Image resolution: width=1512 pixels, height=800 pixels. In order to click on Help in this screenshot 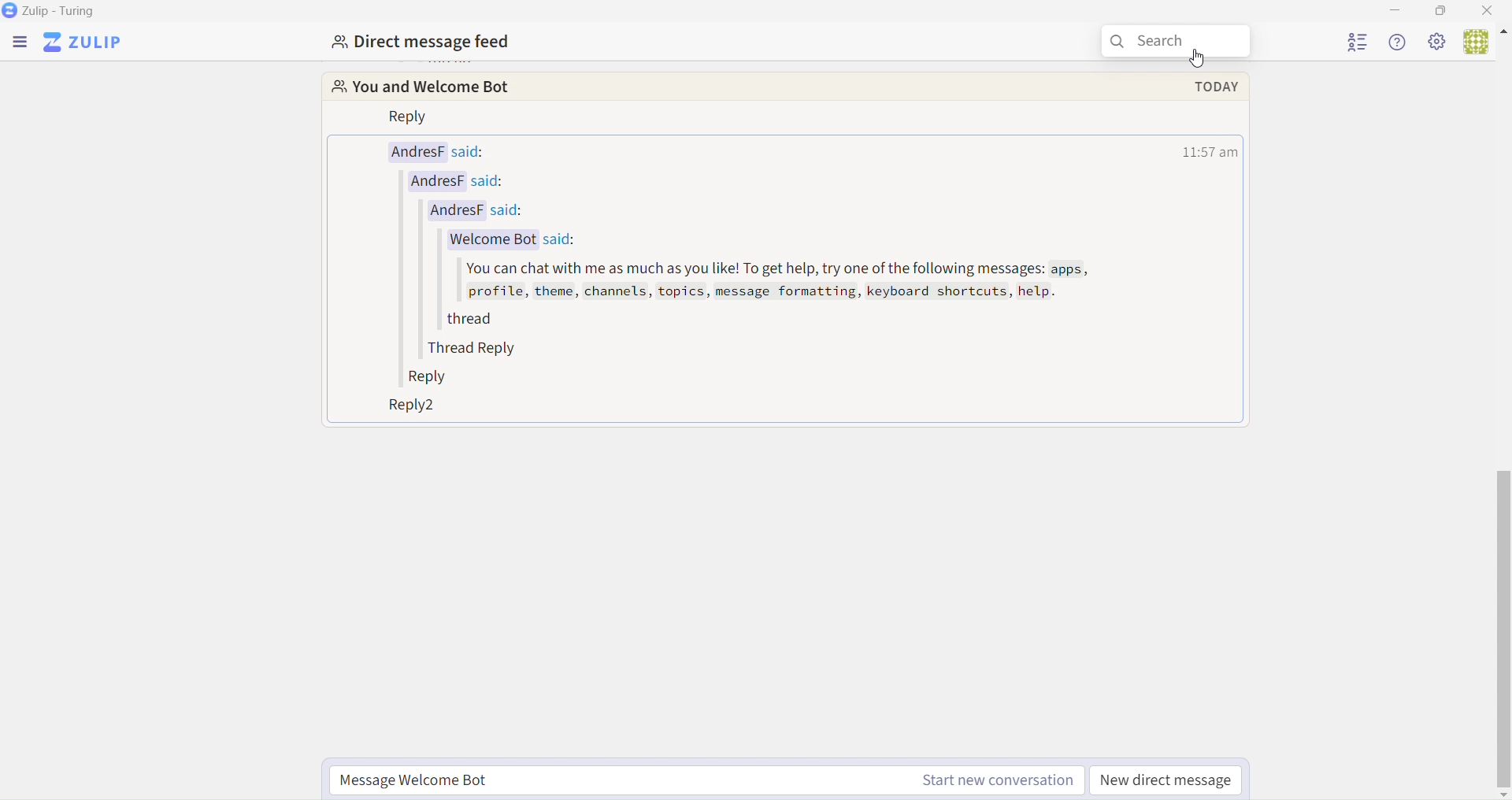, I will do `click(1402, 43)`.